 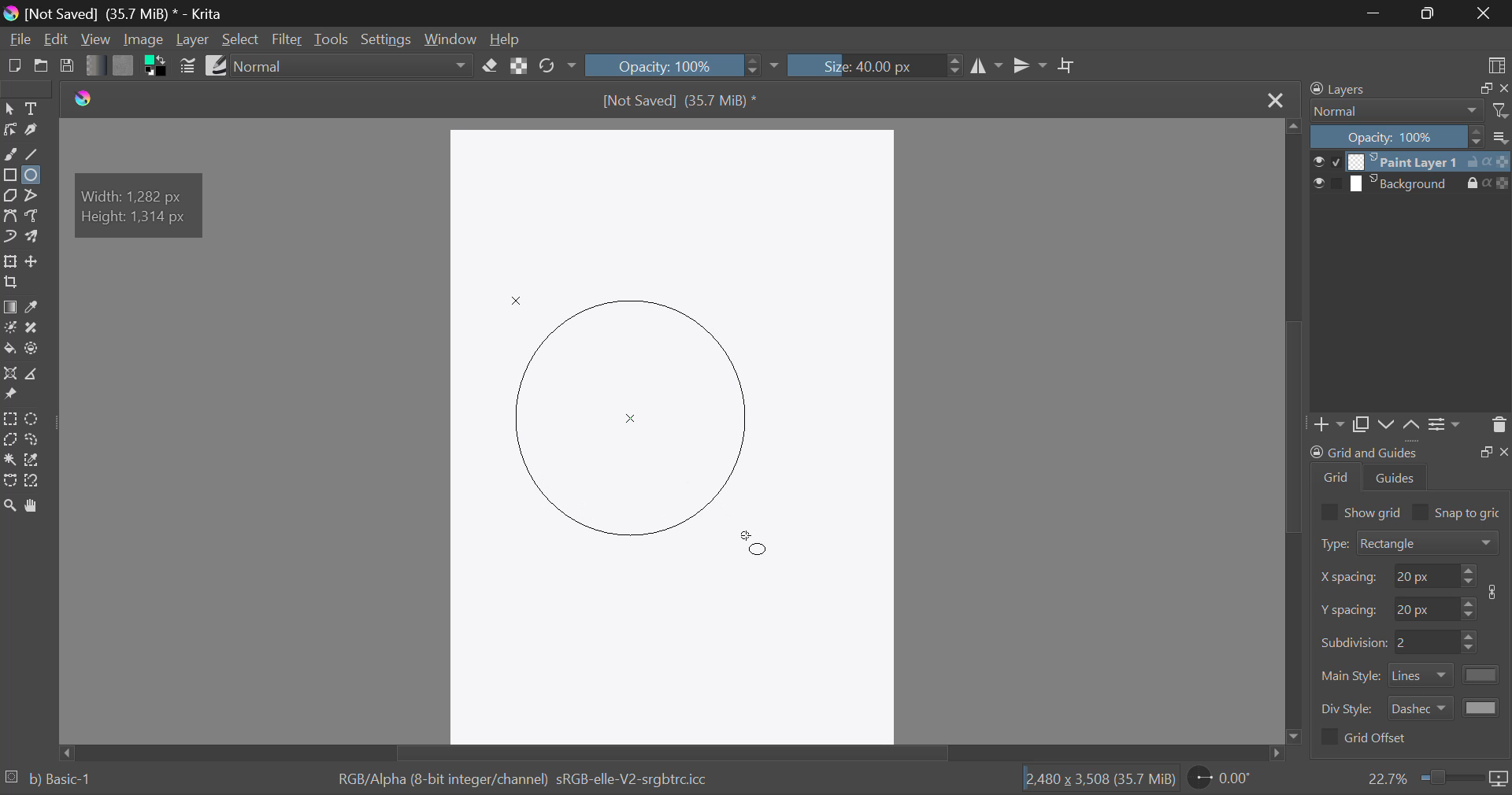 What do you see at coordinates (1331, 426) in the screenshot?
I see `Add Layer` at bounding box center [1331, 426].